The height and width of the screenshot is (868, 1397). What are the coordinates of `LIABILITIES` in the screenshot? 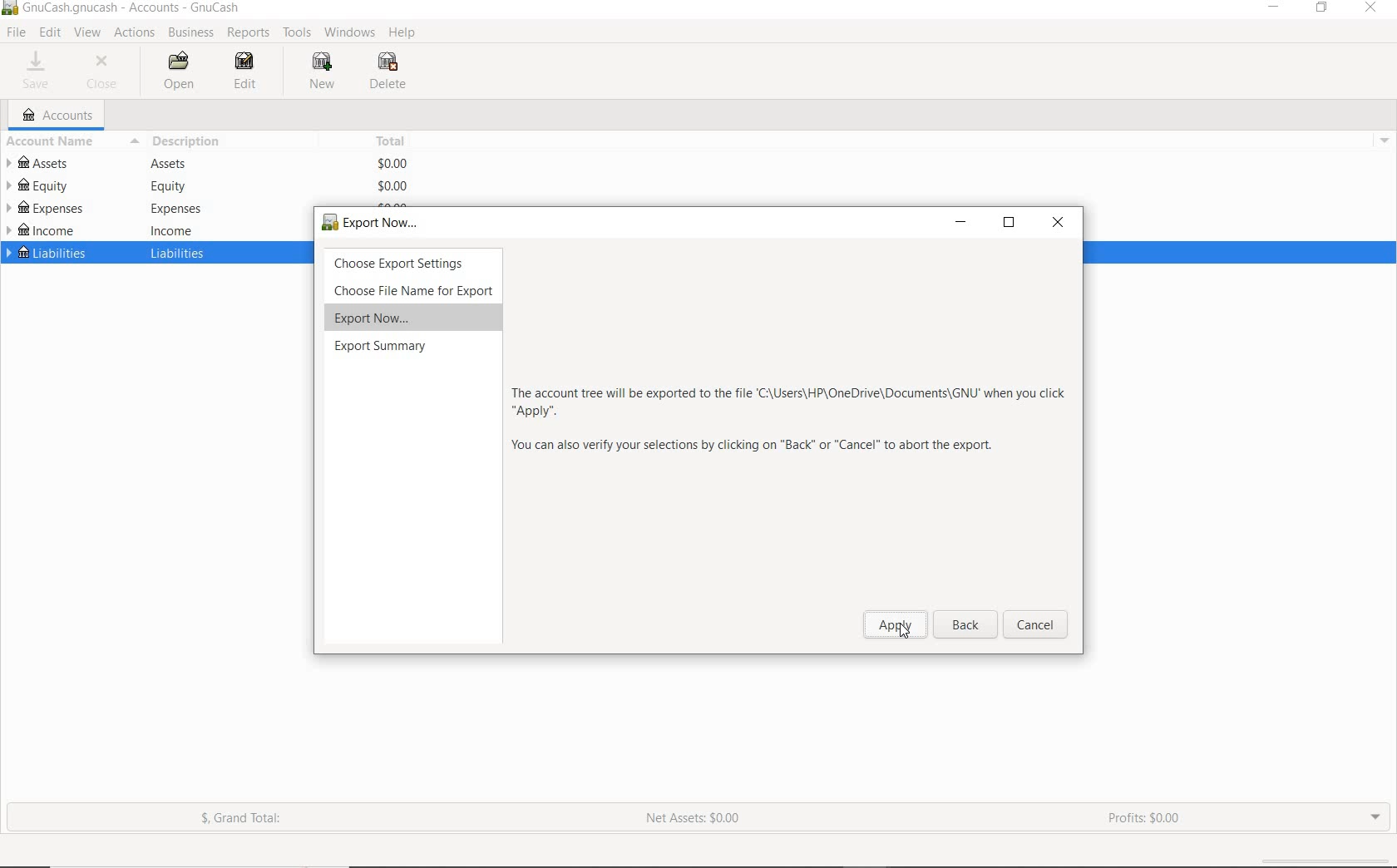 It's located at (46, 255).